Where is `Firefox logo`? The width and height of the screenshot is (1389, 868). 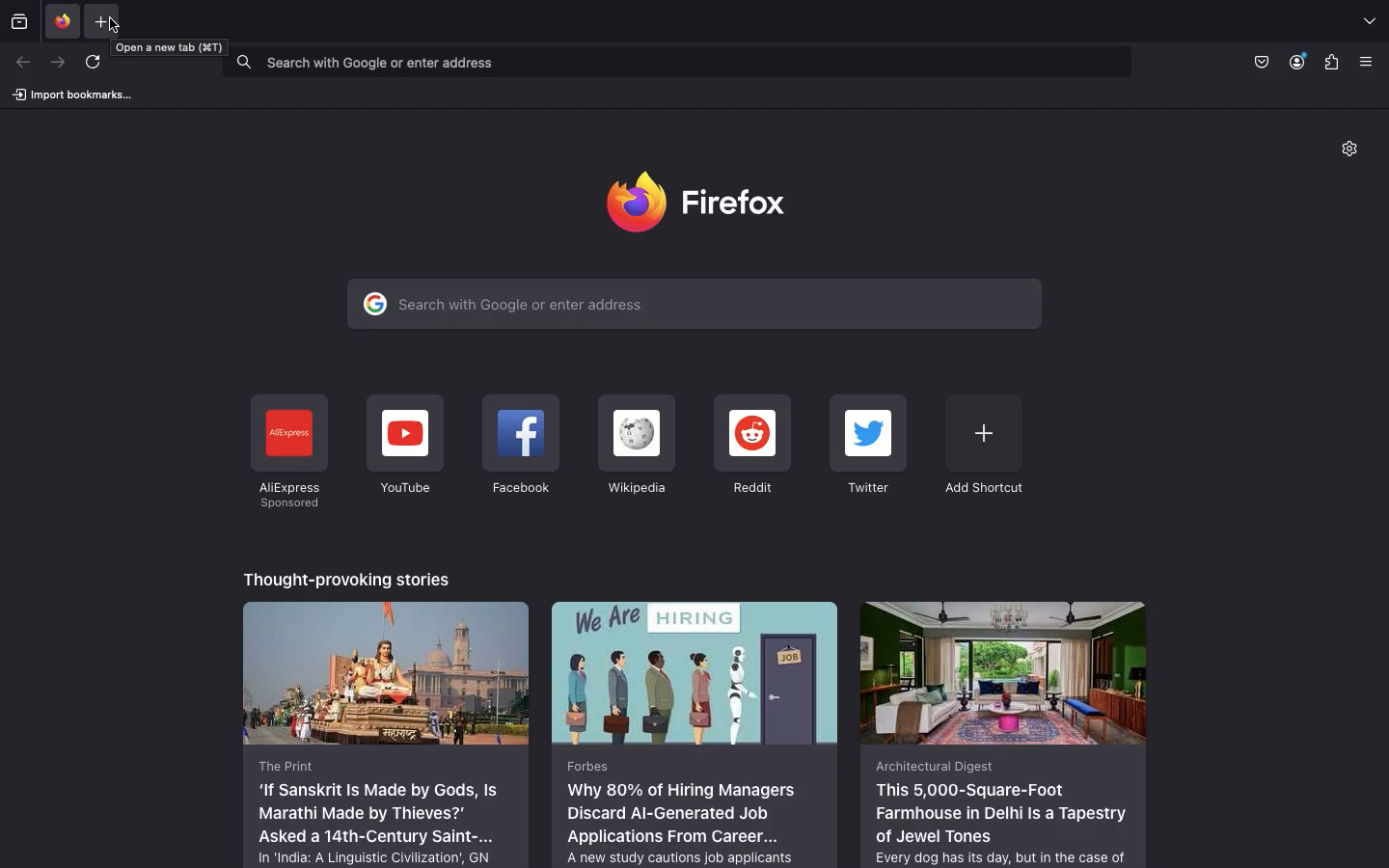 Firefox logo is located at coordinates (704, 201).